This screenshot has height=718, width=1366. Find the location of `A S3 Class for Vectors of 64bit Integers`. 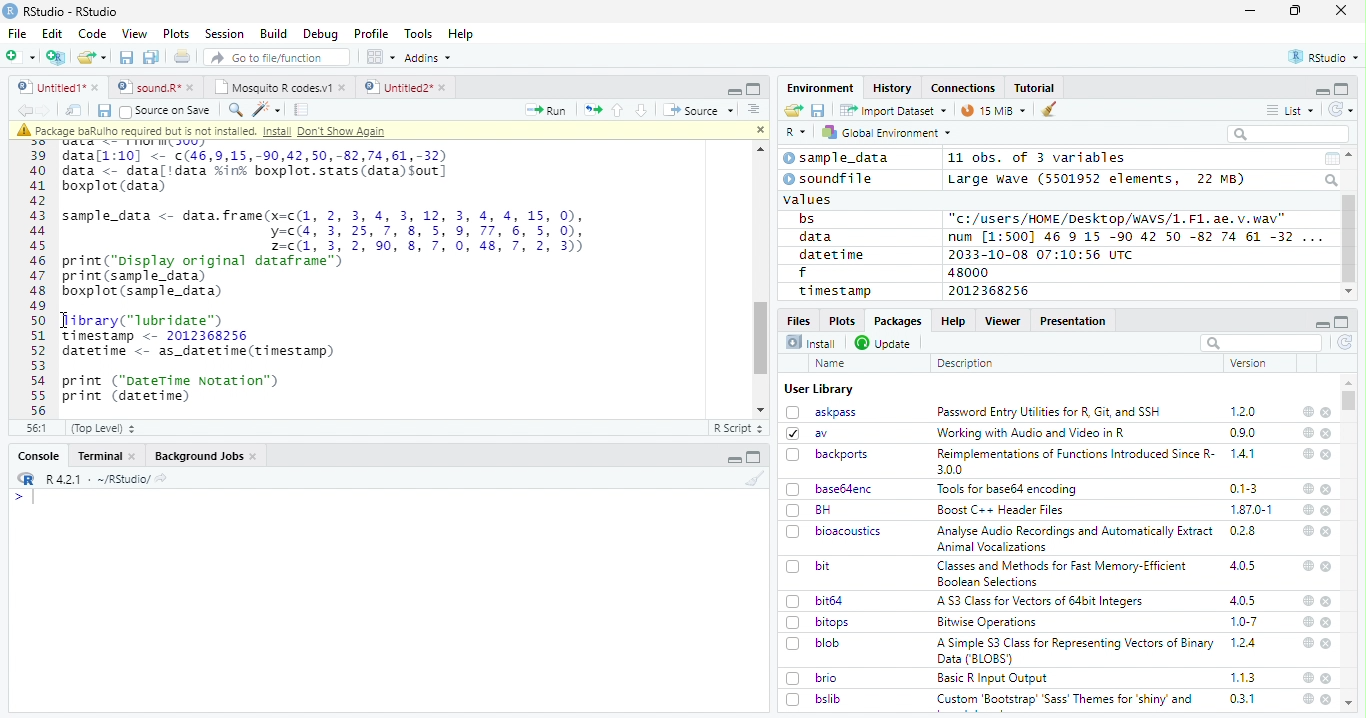

A S3 Class for Vectors of 64bit Integers is located at coordinates (1042, 602).